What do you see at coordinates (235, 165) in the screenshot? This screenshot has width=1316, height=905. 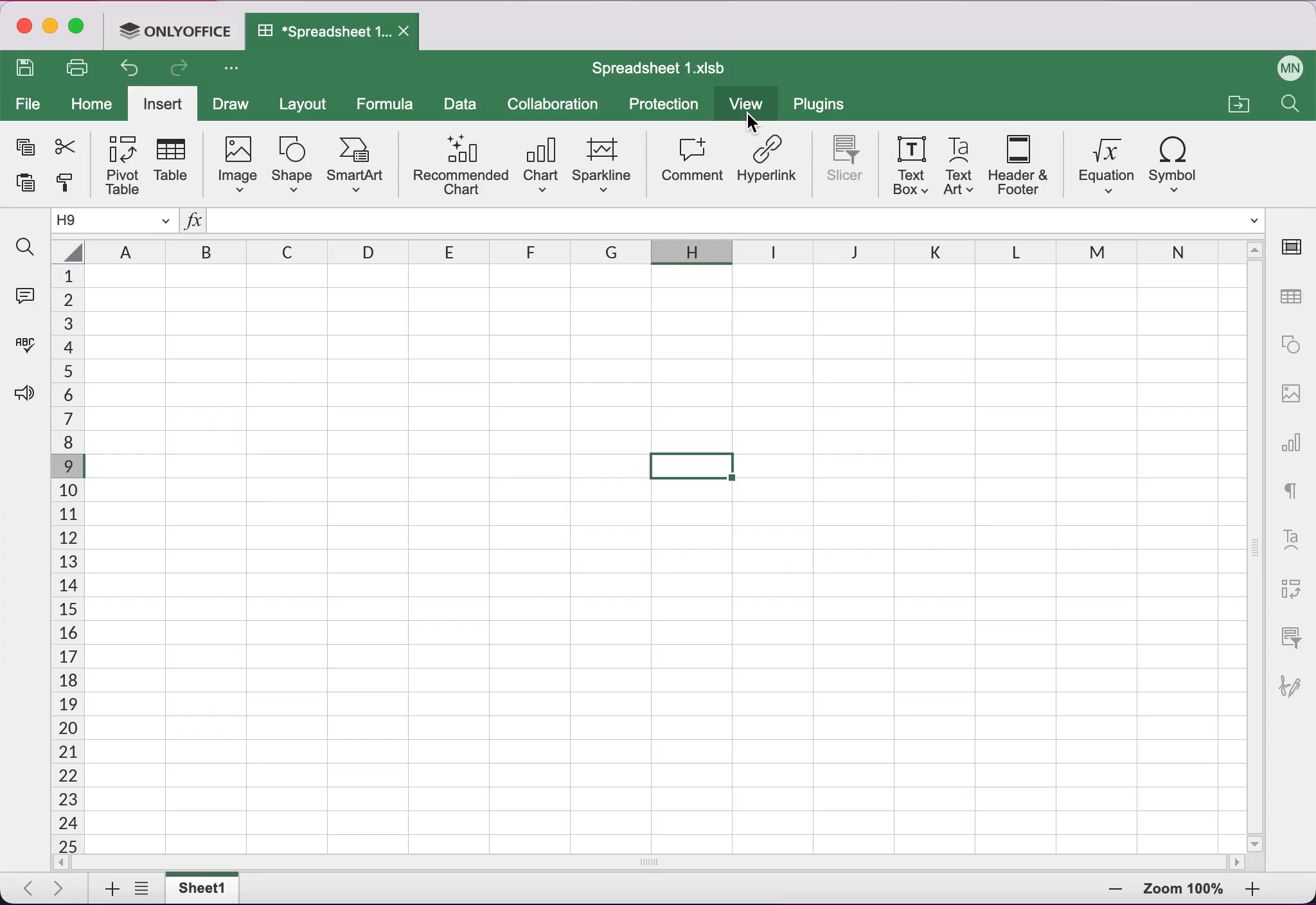 I see `image` at bounding box center [235, 165].